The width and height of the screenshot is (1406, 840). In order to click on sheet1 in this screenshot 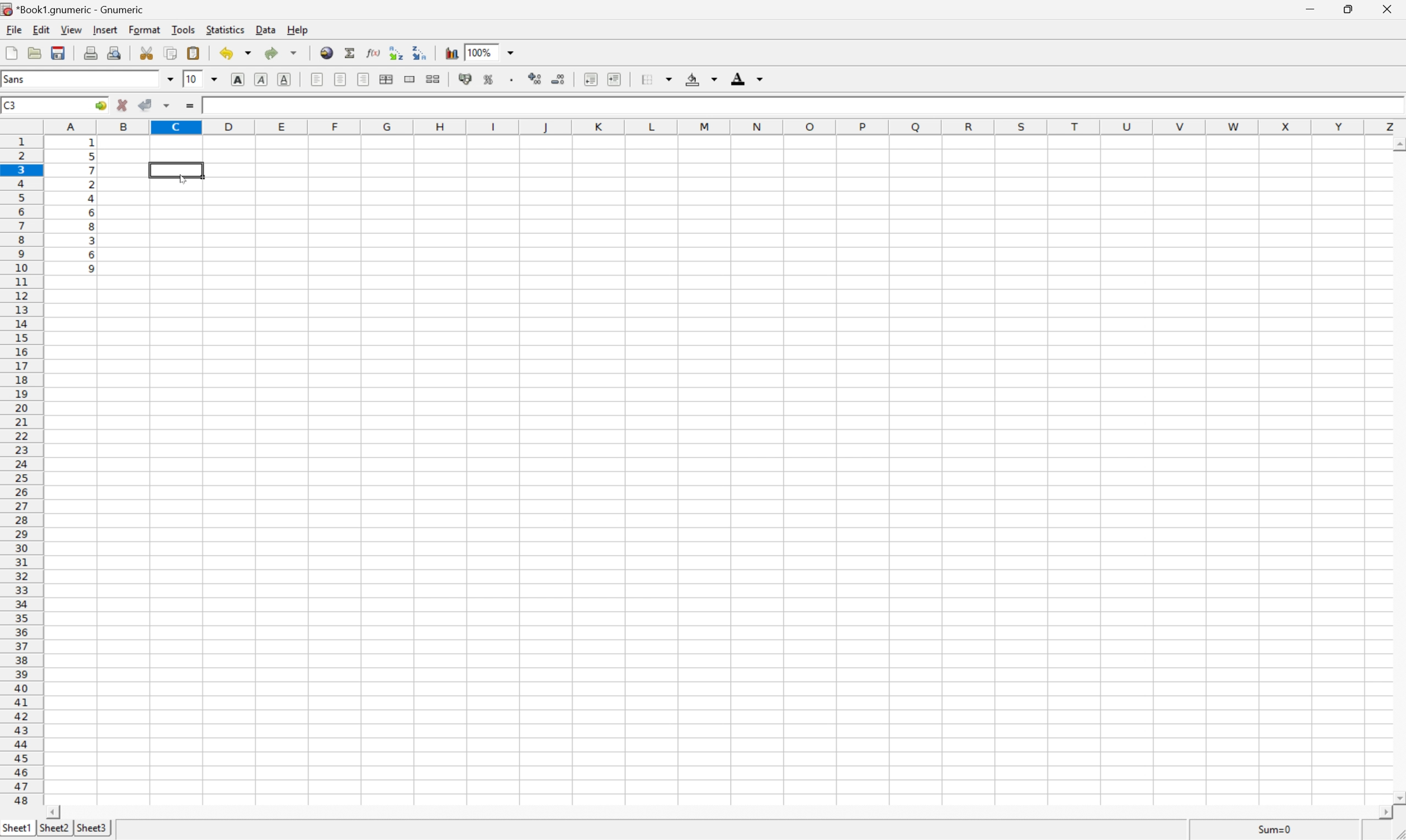, I will do `click(16, 828)`.